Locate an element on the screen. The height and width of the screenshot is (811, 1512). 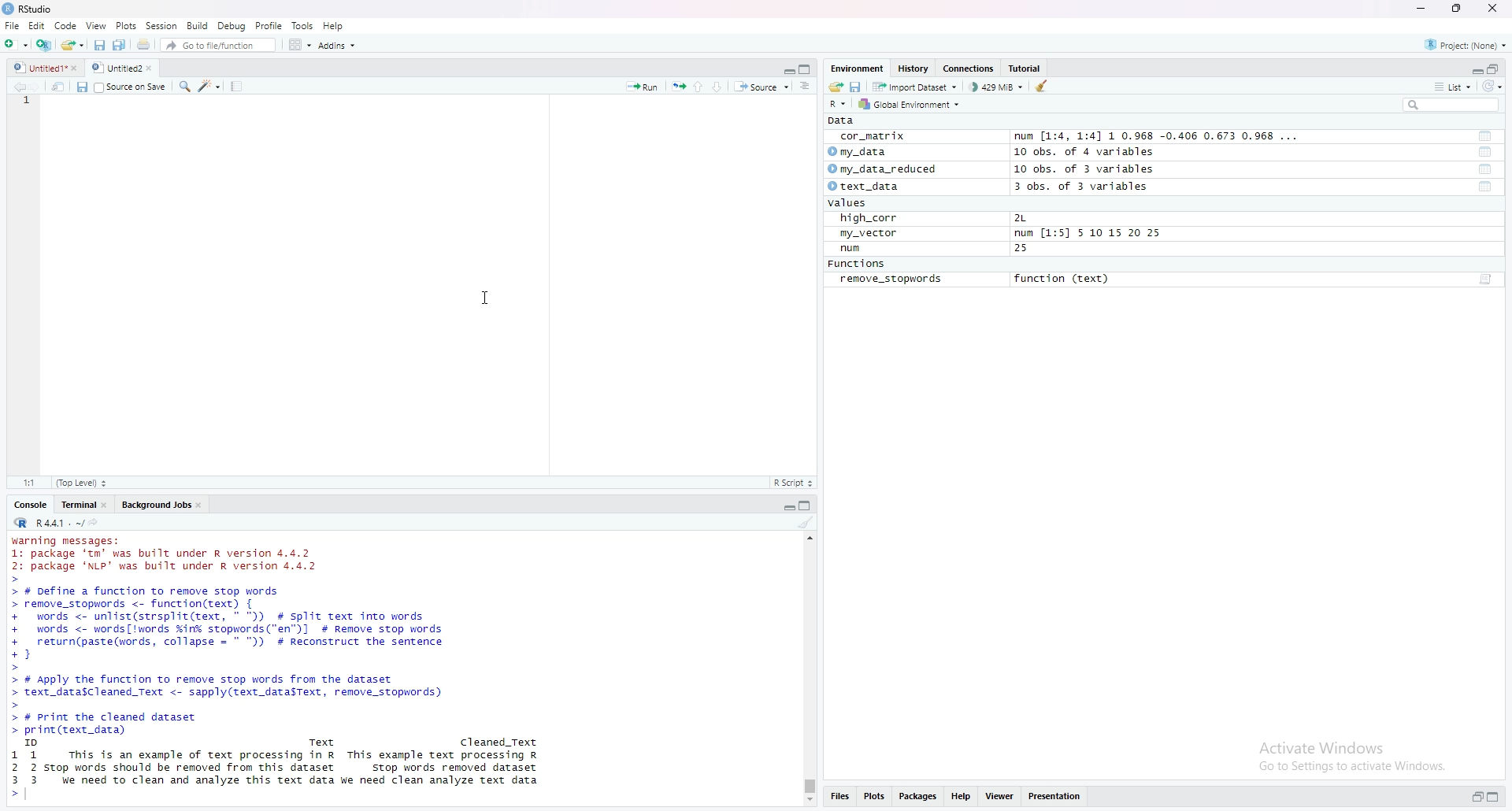
Save all tabs is located at coordinates (118, 46).